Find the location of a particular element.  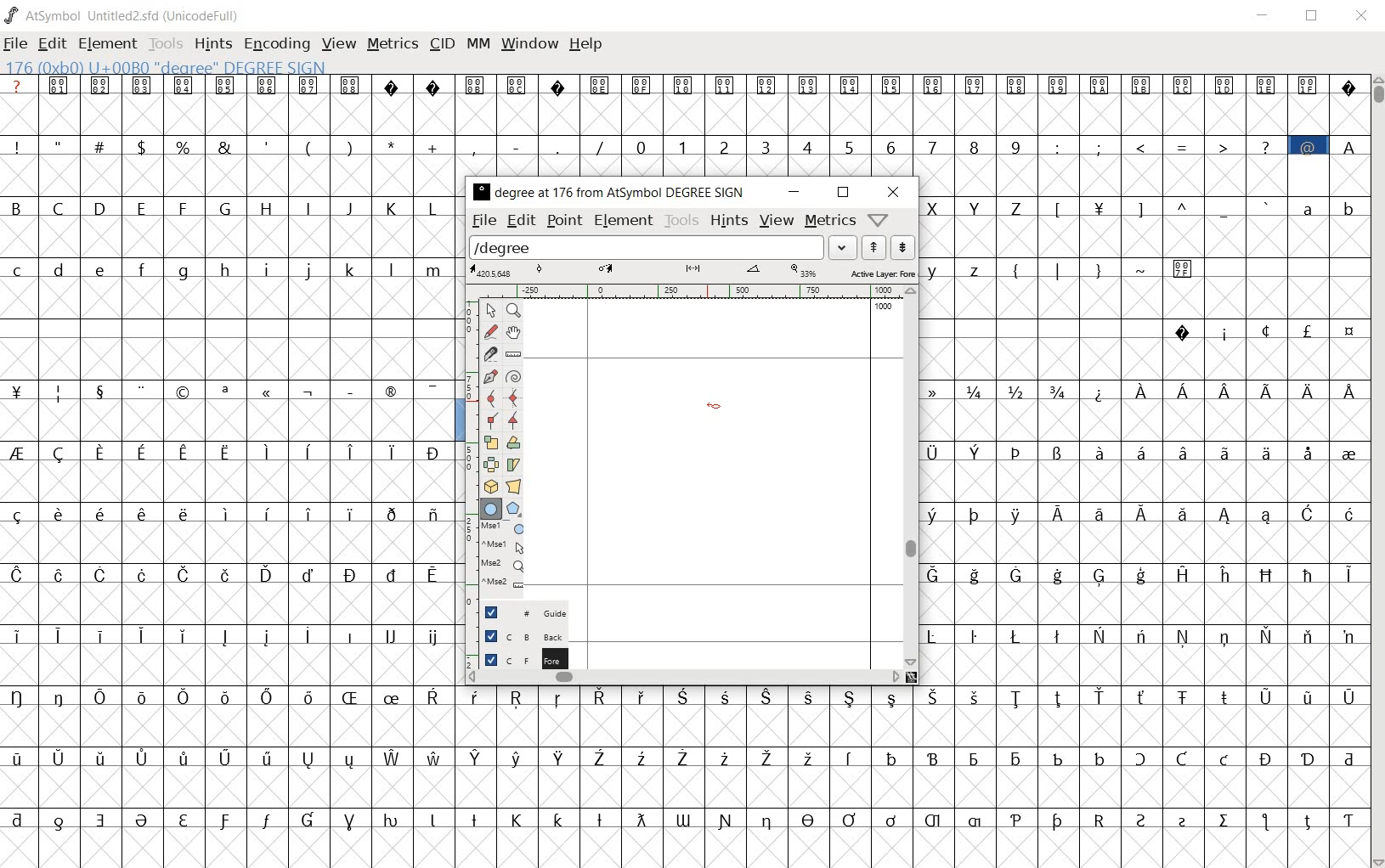

metrics is located at coordinates (393, 45).